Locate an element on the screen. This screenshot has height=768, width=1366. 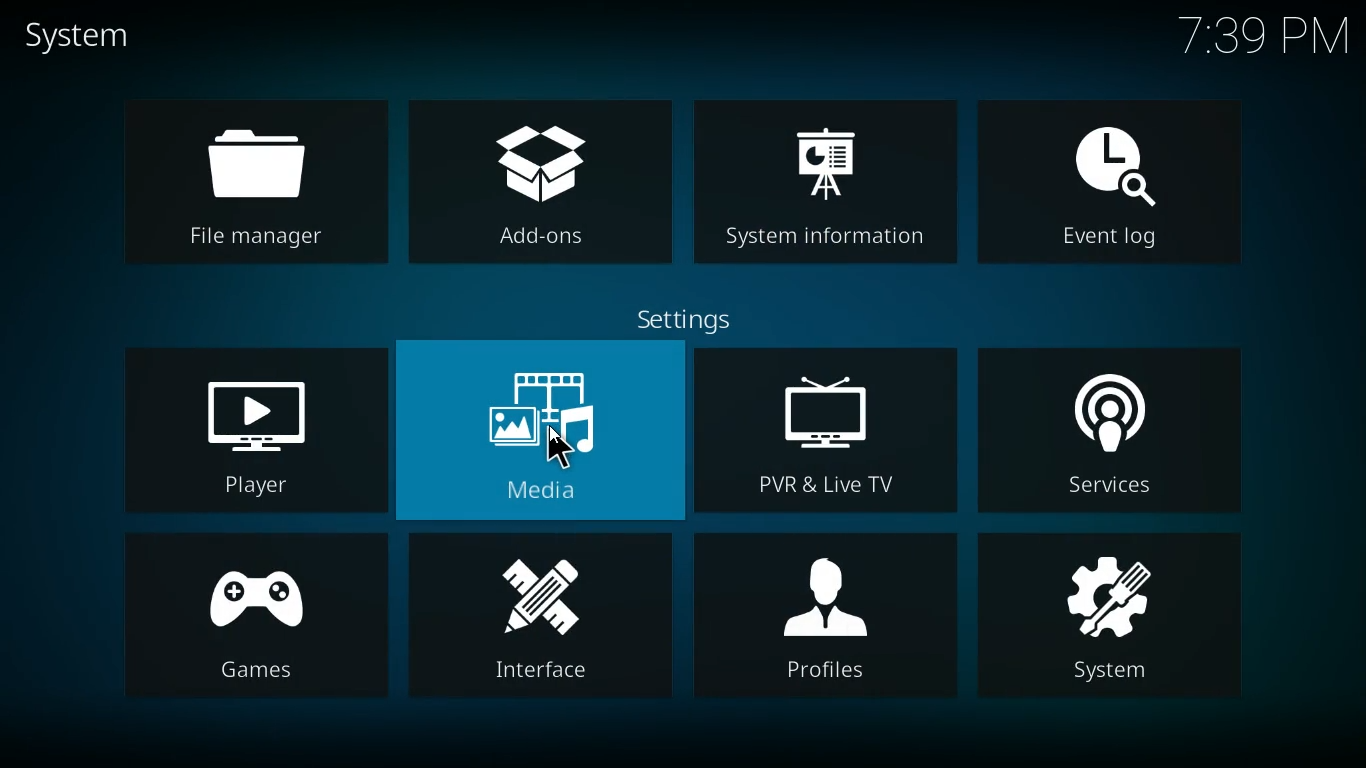
pvr & live tv is located at coordinates (826, 433).